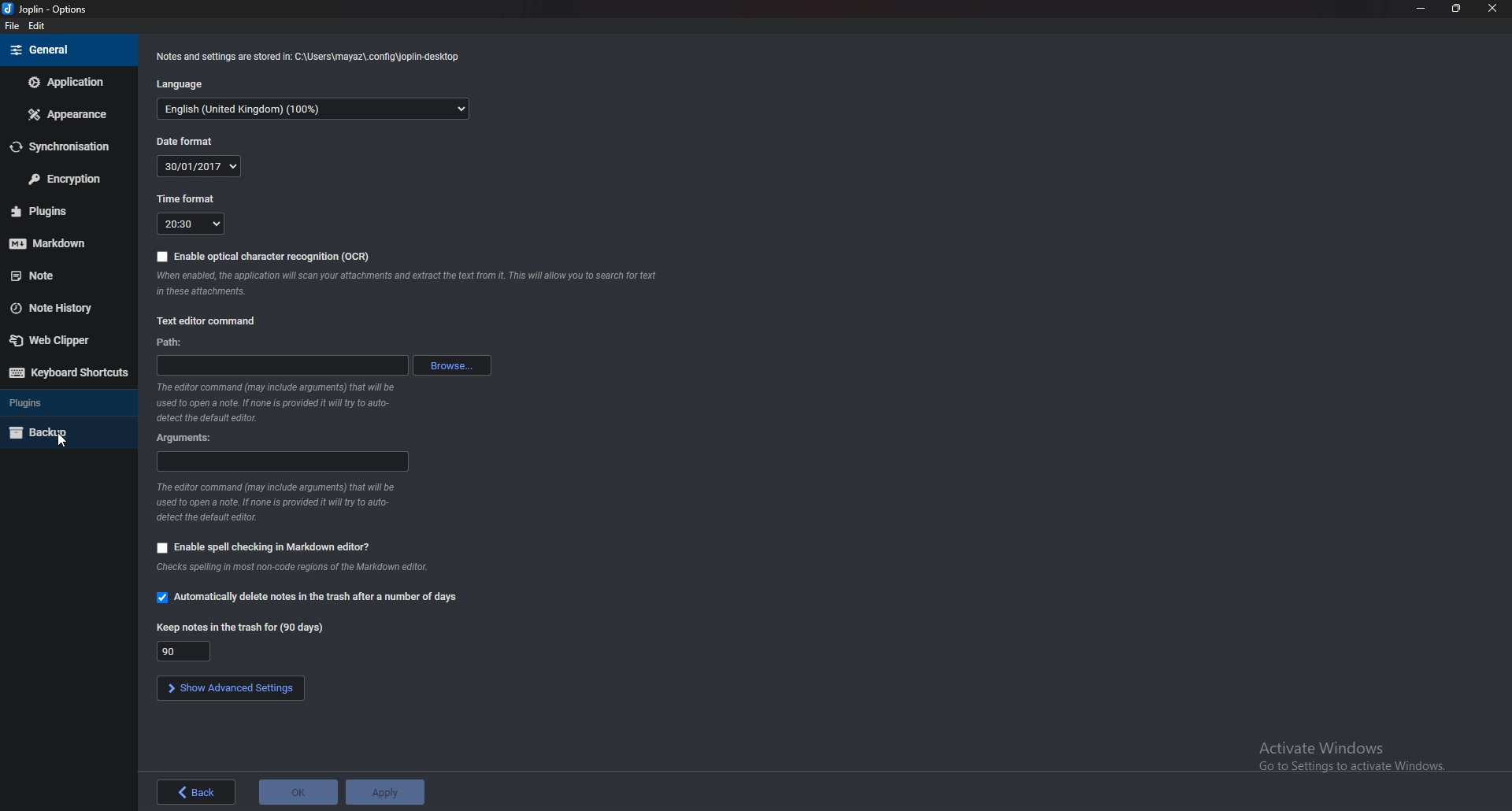 Image resolution: width=1512 pixels, height=811 pixels. Describe the element at coordinates (190, 198) in the screenshot. I see `Time format` at that location.